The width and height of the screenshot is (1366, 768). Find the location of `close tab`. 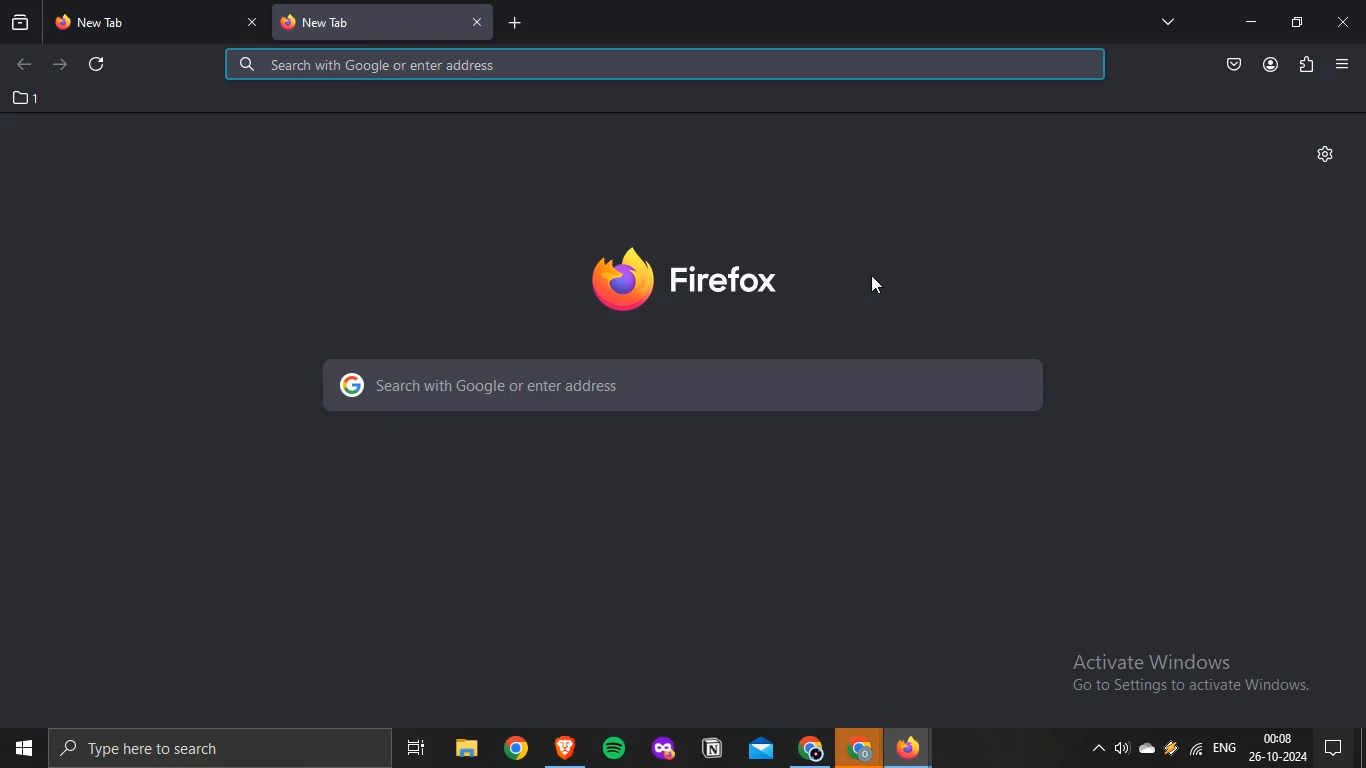

close tab is located at coordinates (255, 23).